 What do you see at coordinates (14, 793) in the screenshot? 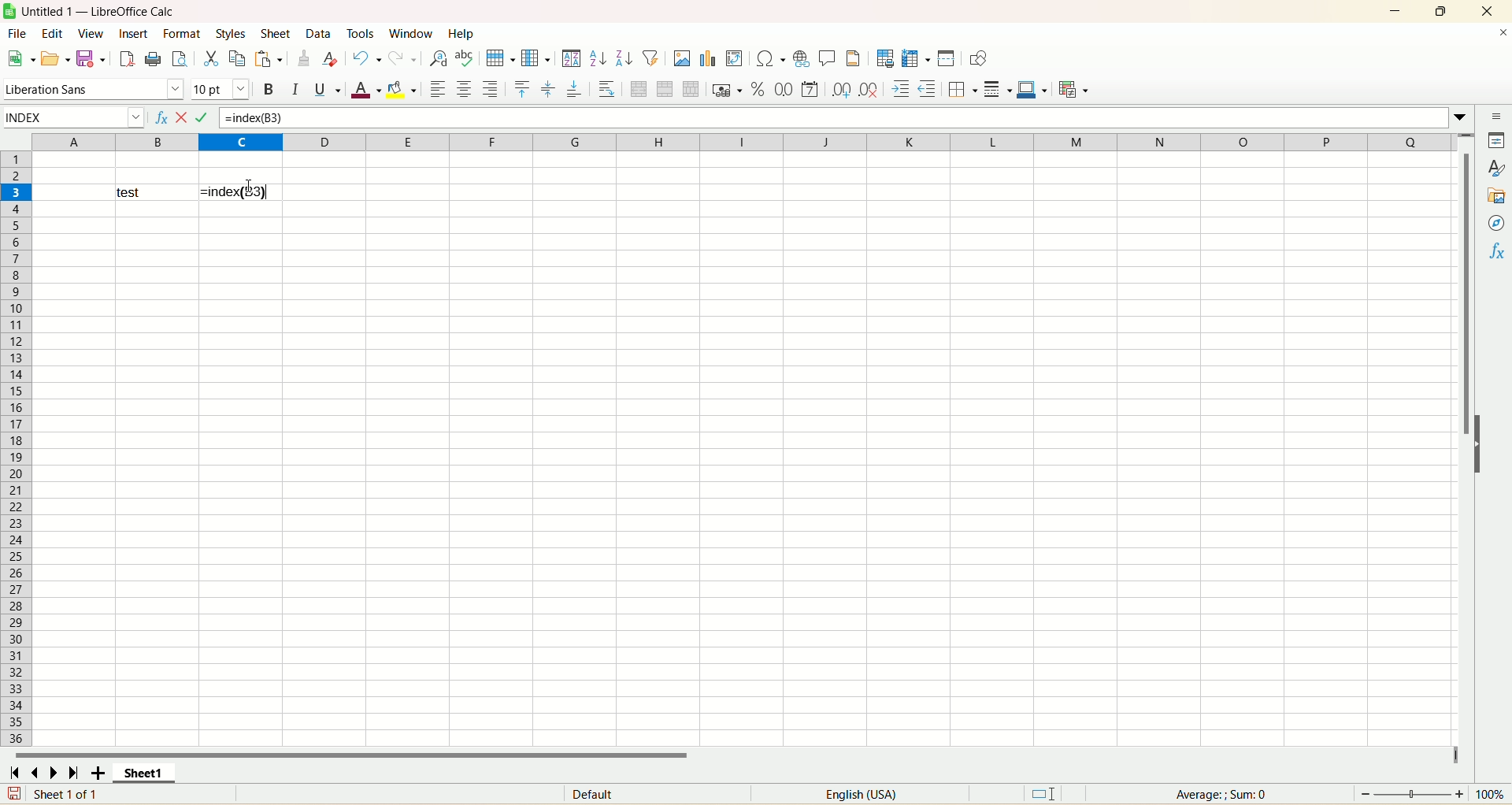
I see `save` at bounding box center [14, 793].